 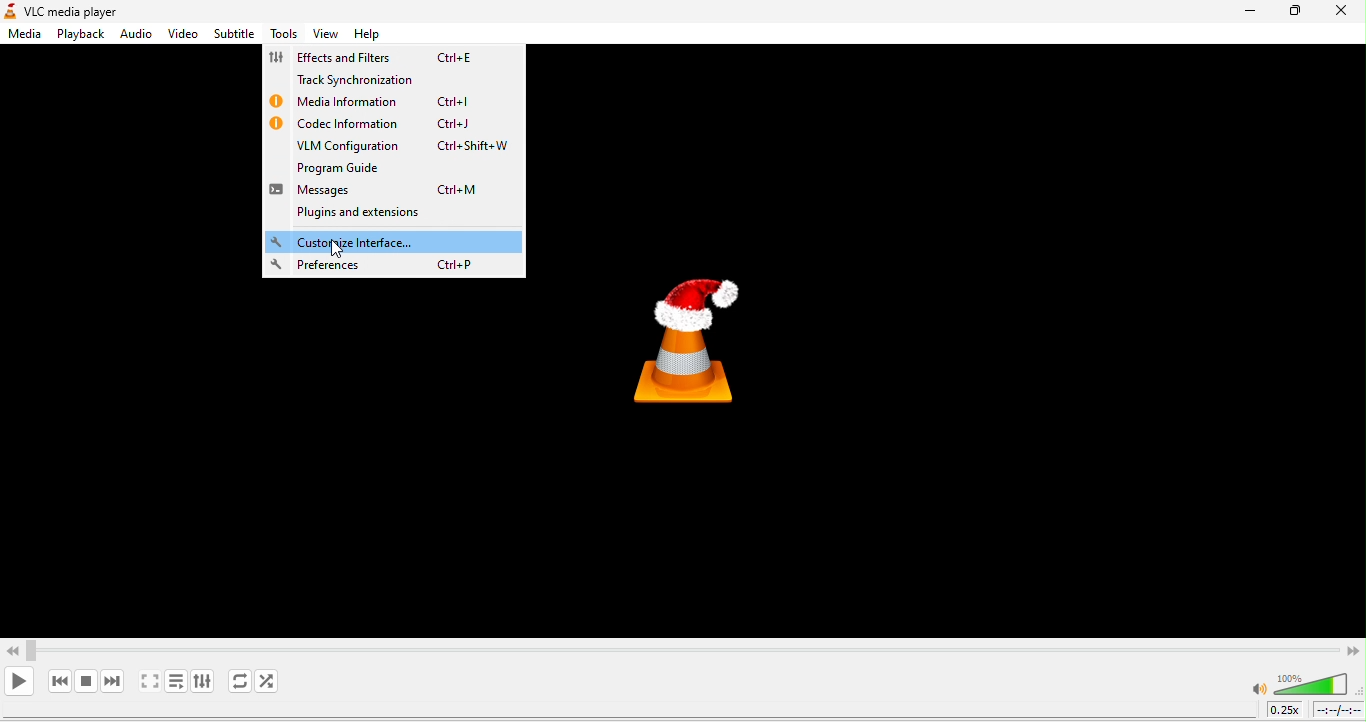 I want to click on show extended settings, so click(x=203, y=684).